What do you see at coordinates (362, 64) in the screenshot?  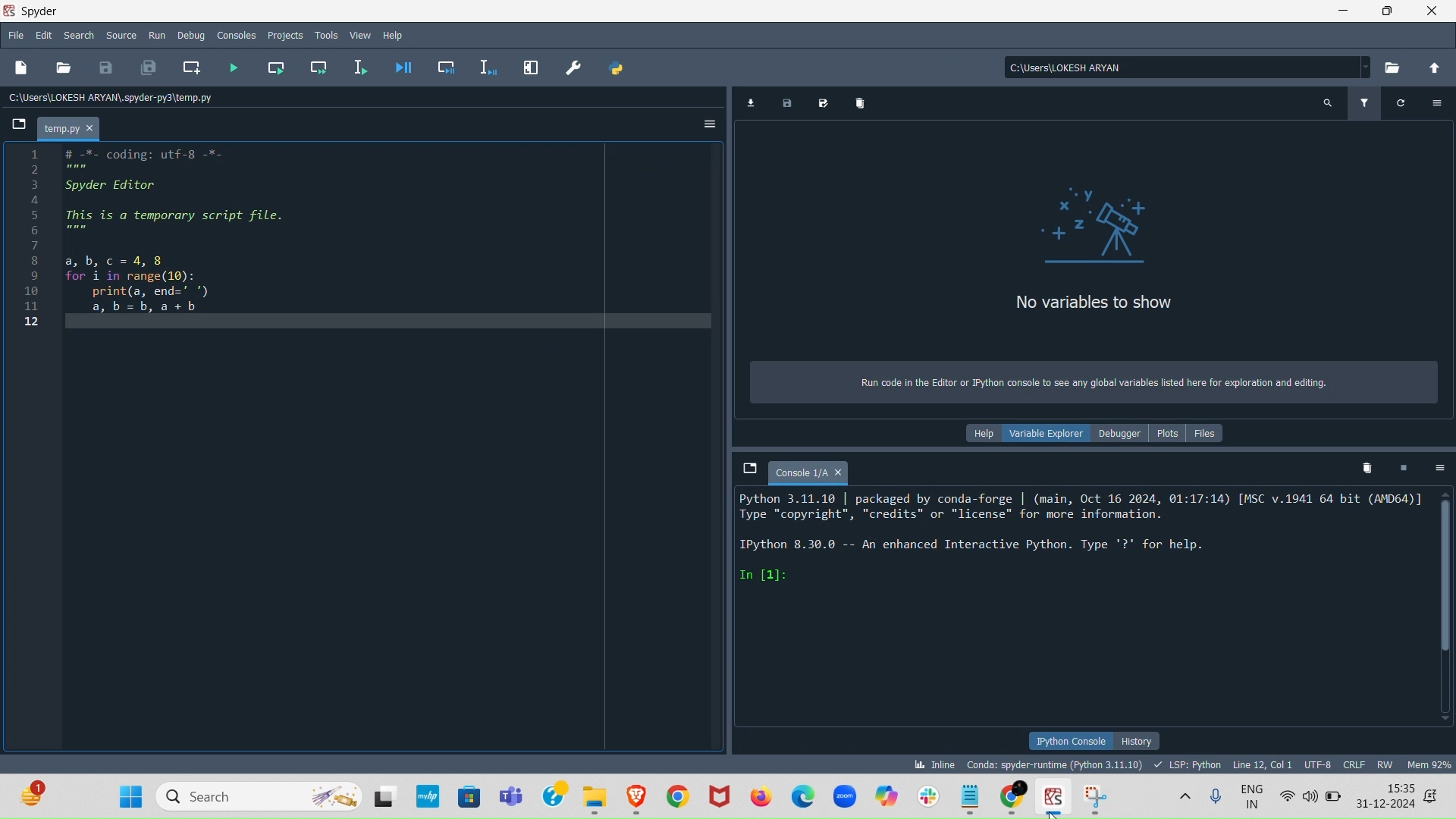 I see `Run selection or current line (F9)` at bounding box center [362, 64].